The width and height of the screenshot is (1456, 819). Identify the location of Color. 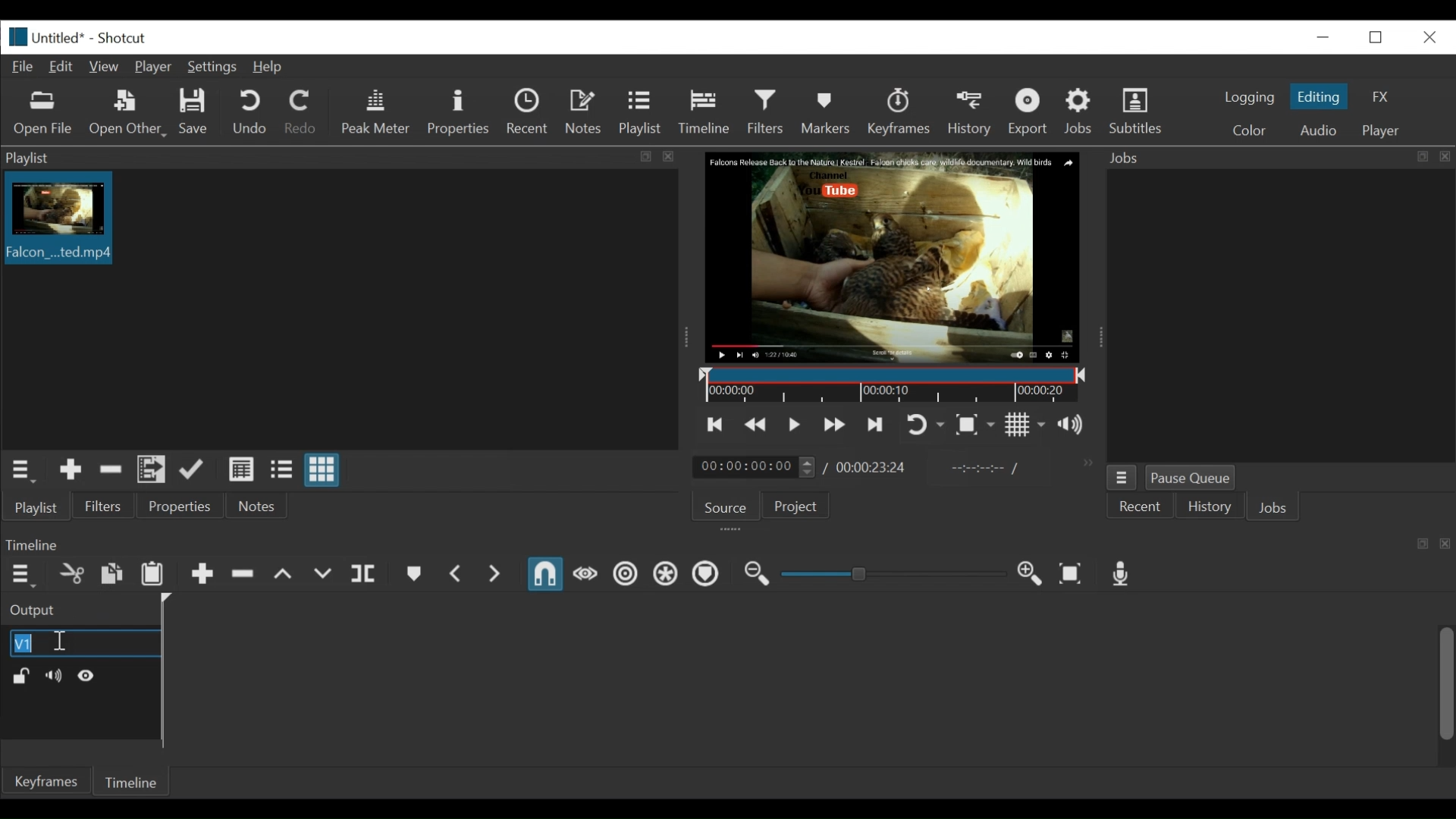
(1246, 130).